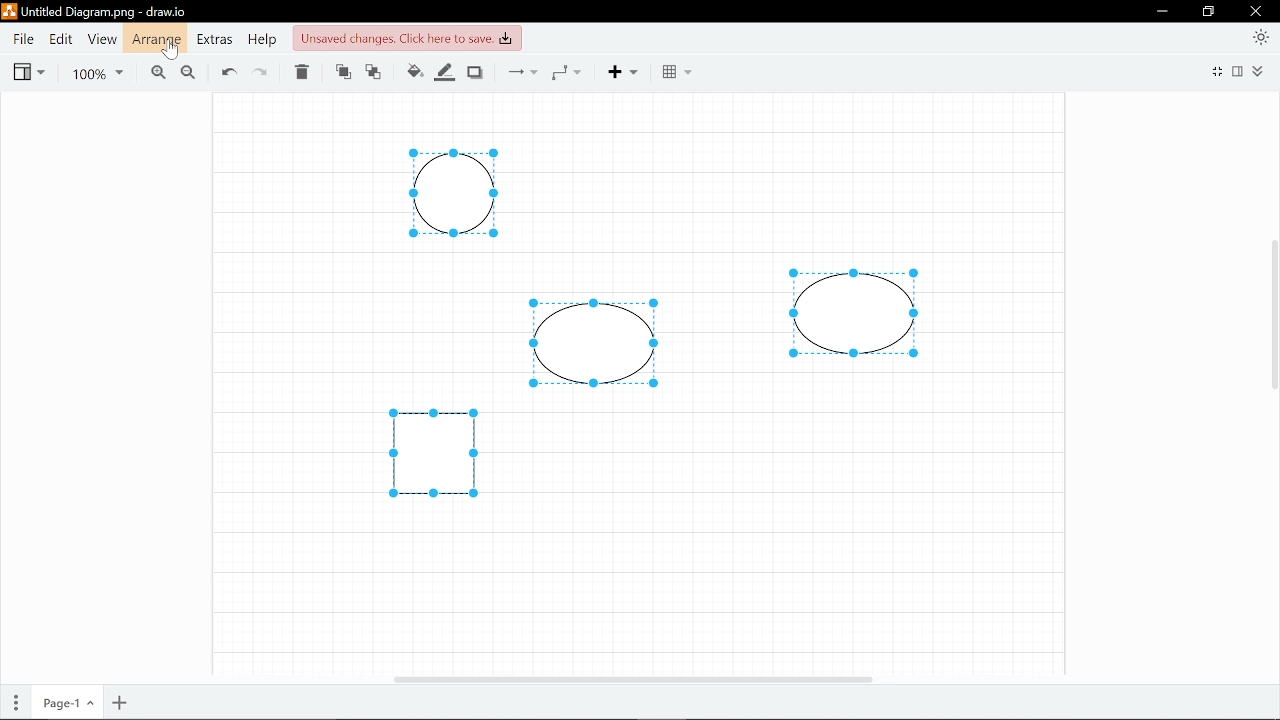 The height and width of the screenshot is (720, 1280). I want to click on Diagram, so click(453, 194).